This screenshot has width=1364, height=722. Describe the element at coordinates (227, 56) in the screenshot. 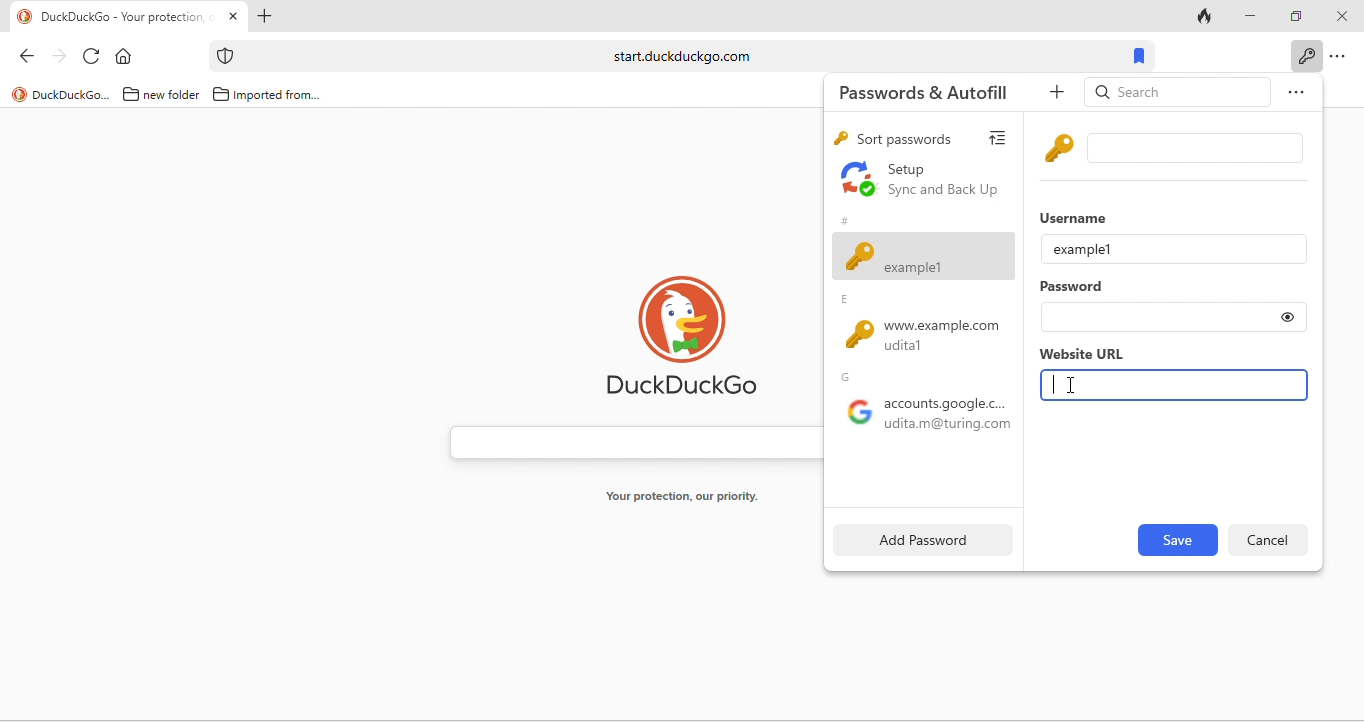

I see `icon` at that location.